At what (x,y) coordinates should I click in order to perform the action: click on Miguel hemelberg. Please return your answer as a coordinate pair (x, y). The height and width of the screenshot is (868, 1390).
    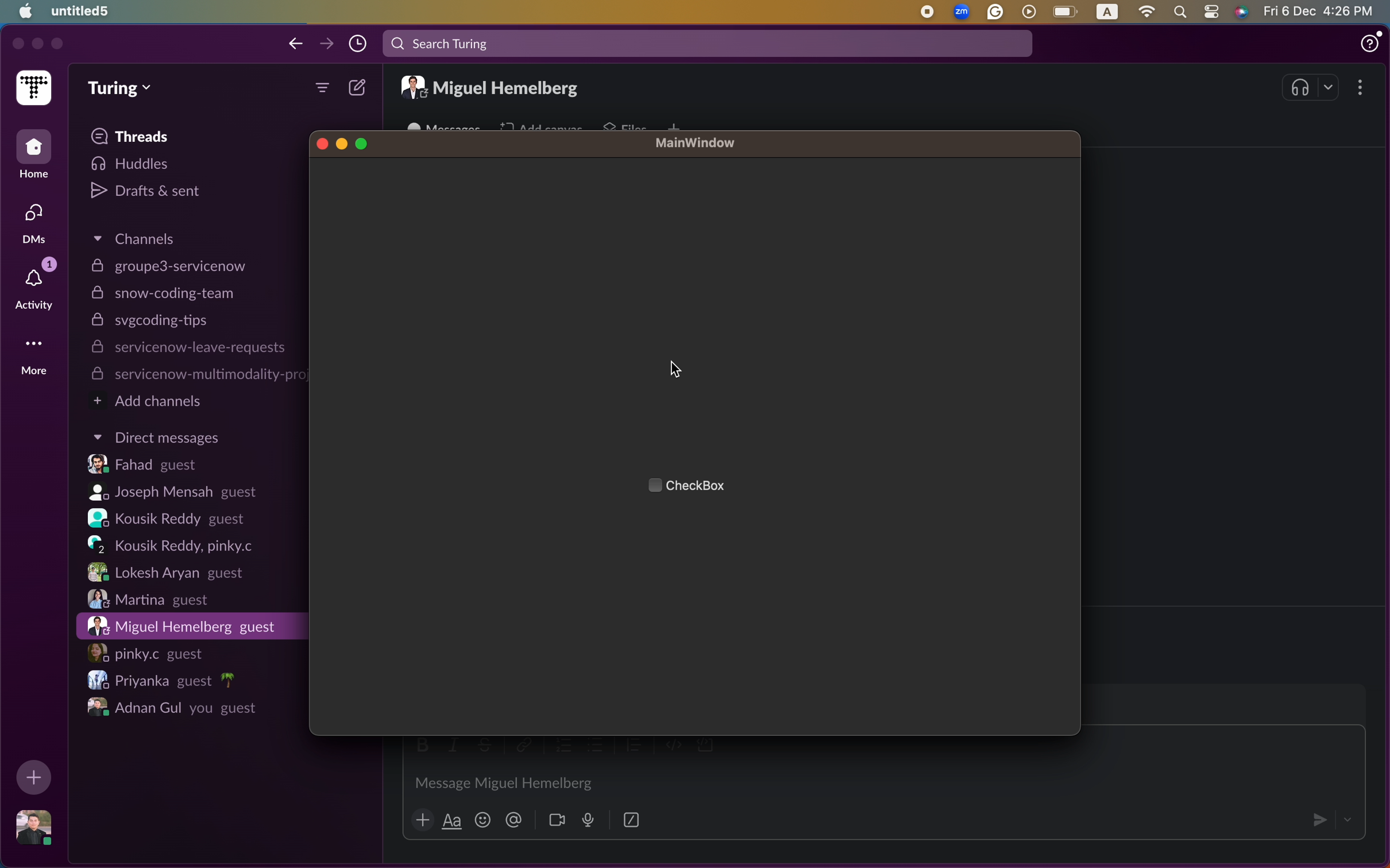
    Looking at the image, I should click on (493, 86).